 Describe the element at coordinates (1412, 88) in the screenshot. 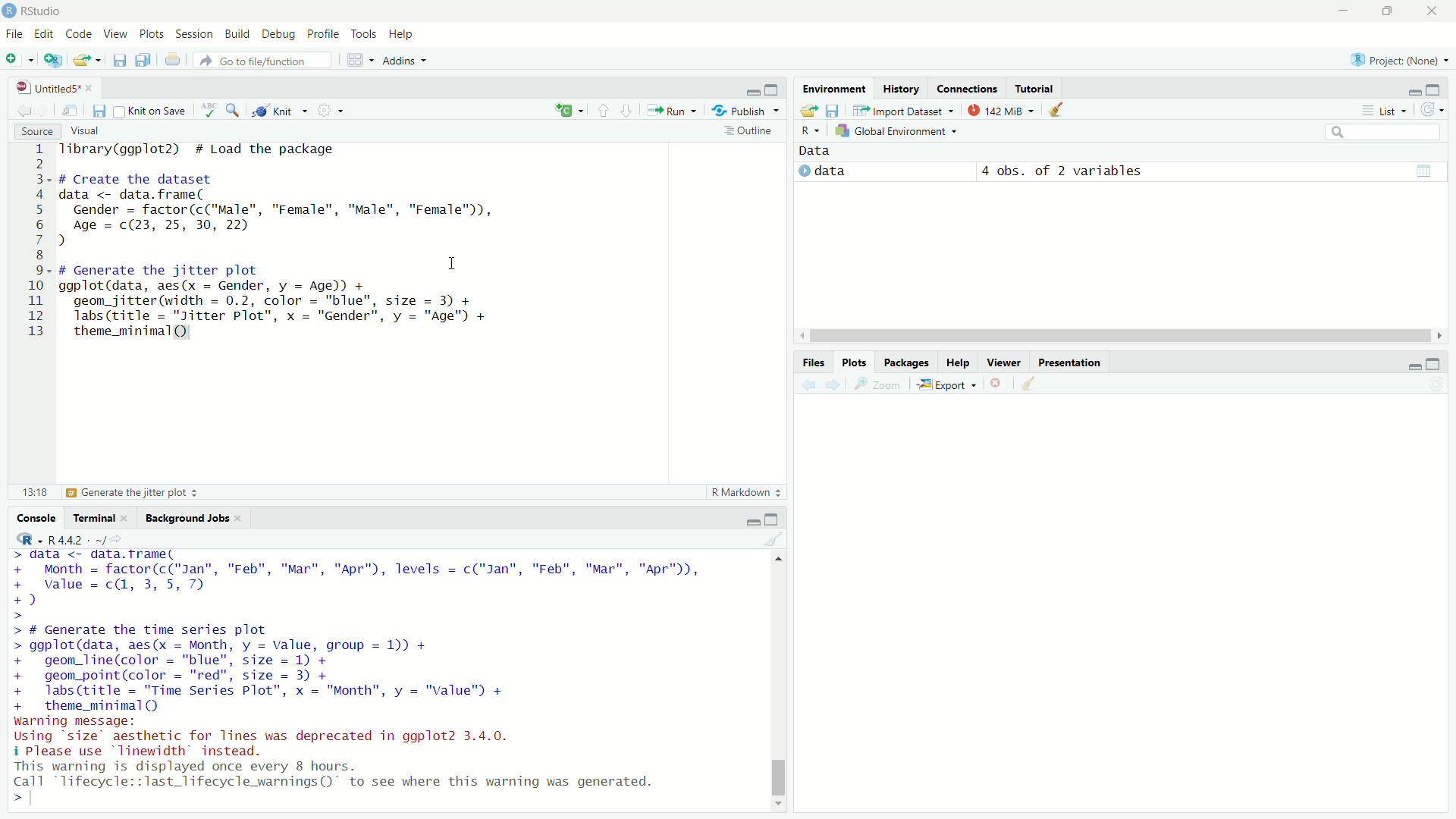

I see `minimize` at that location.